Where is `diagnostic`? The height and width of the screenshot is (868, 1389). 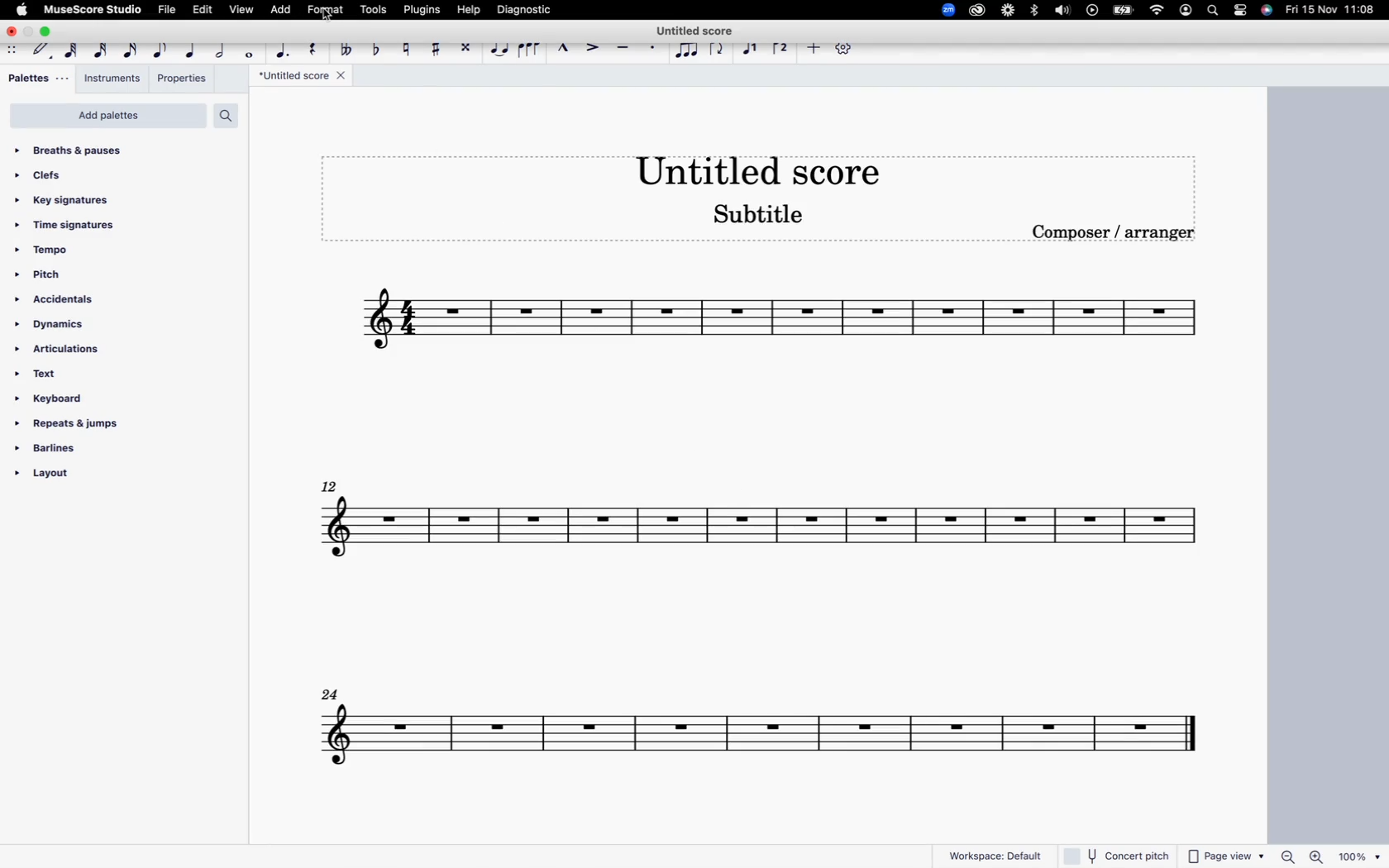 diagnostic is located at coordinates (524, 11).